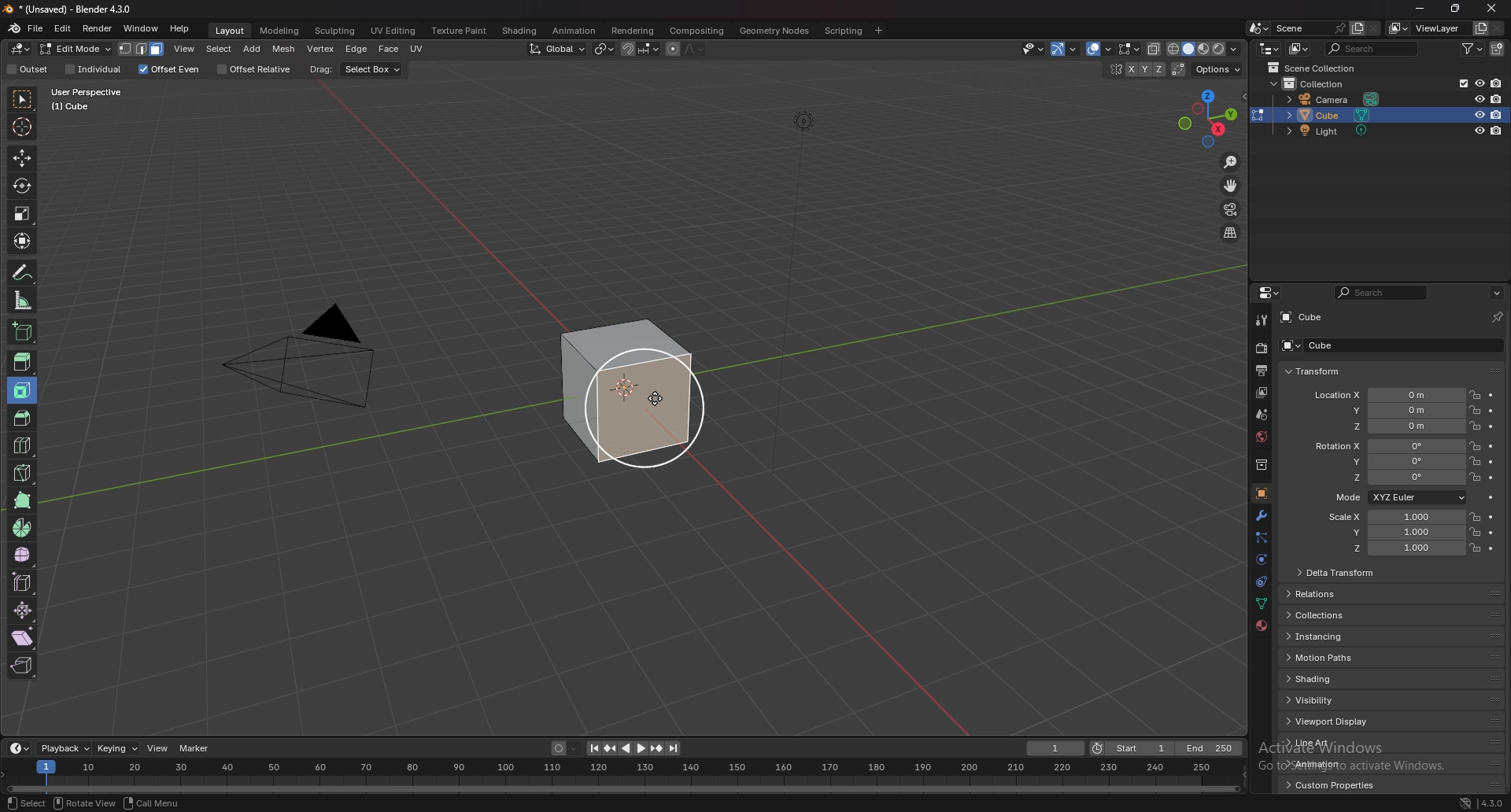 This screenshot has height=812, width=1511. Describe the element at coordinates (1479, 131) in the screenshot. I see `hide in viewport` at that location.